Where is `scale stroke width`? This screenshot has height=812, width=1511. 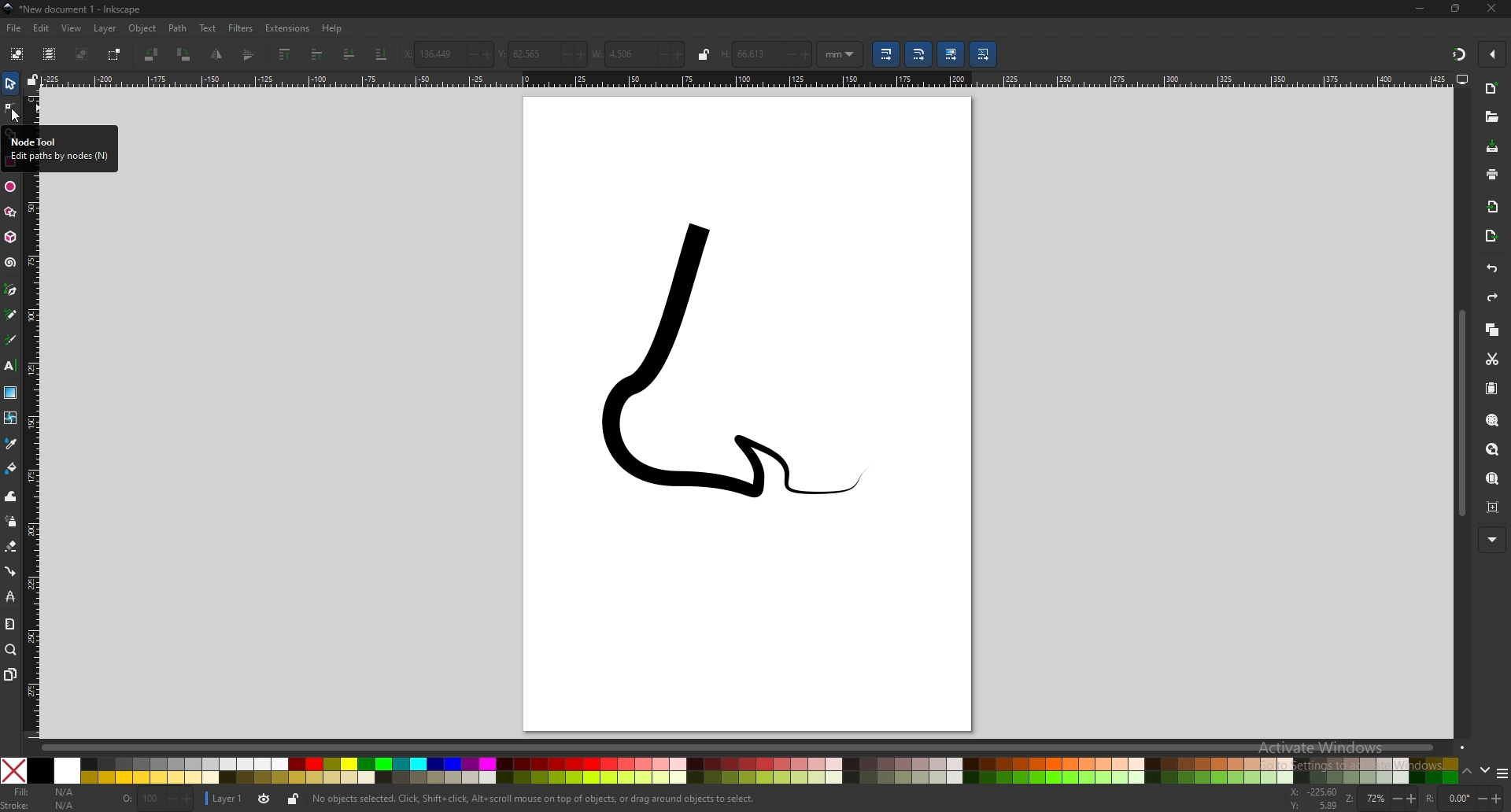 scale stroke width is located at coordinates (885, 54).